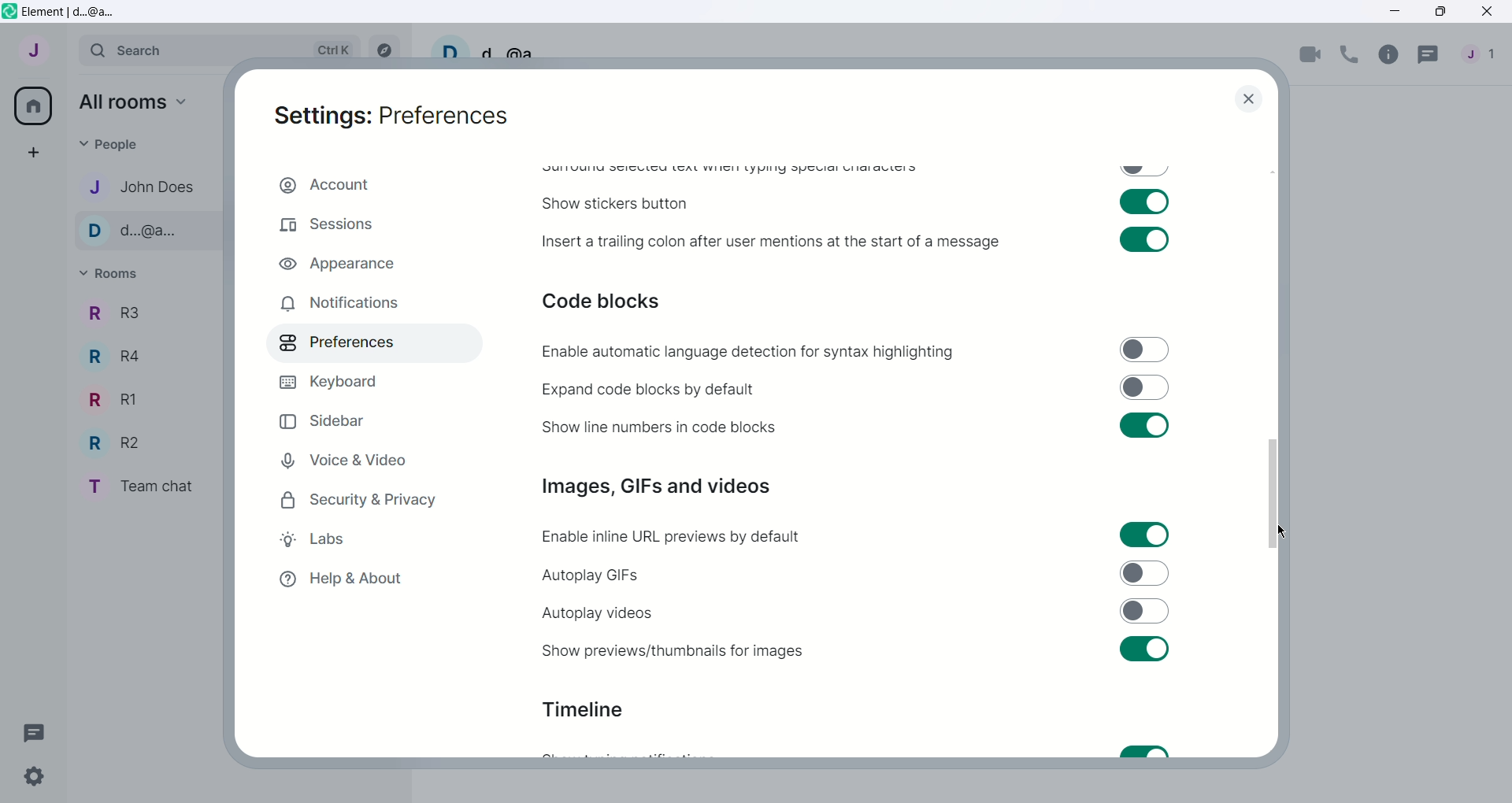 The width and height of the screenshot is (1512, 803). What do you see at coordinates (1396, 10) in the screenshot?
I see `Minimize` at bounding box center [1396, 10].